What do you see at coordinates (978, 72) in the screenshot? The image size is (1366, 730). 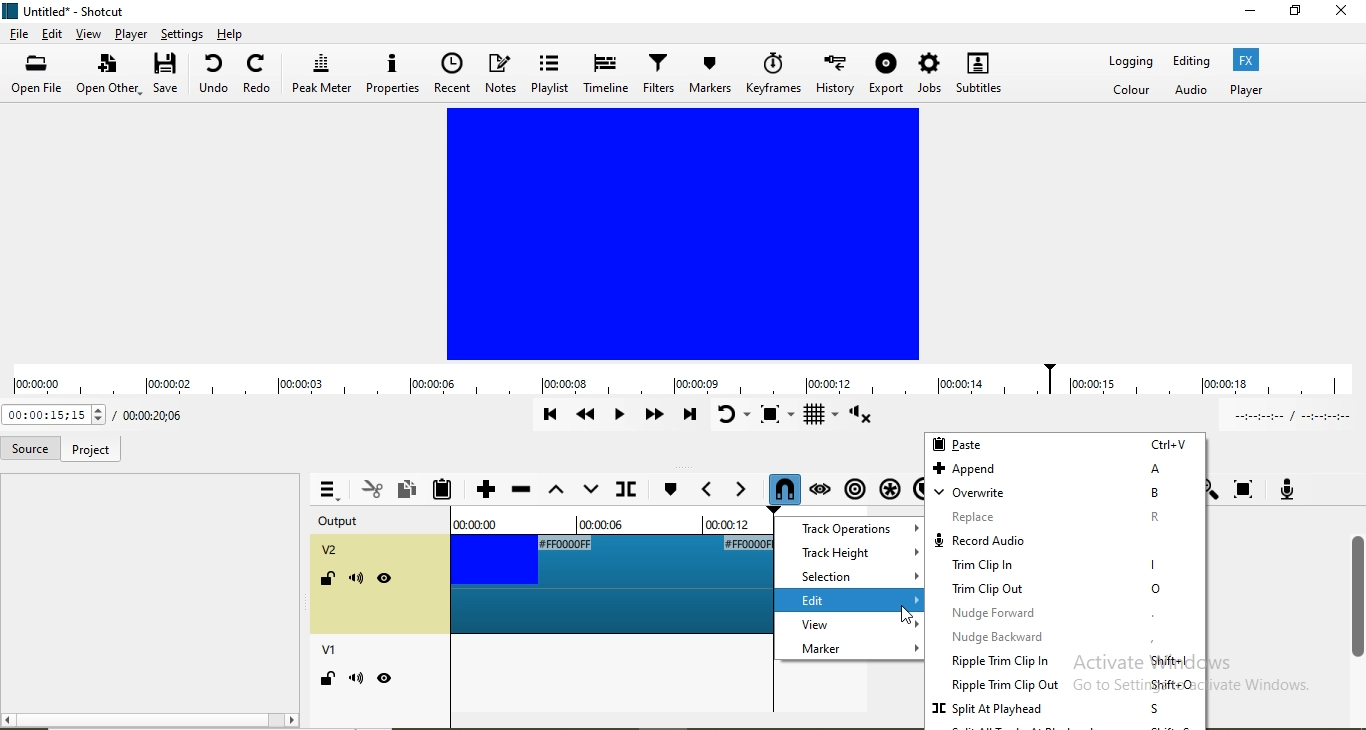 I see `subtitles` at bounding box center [978, 72].